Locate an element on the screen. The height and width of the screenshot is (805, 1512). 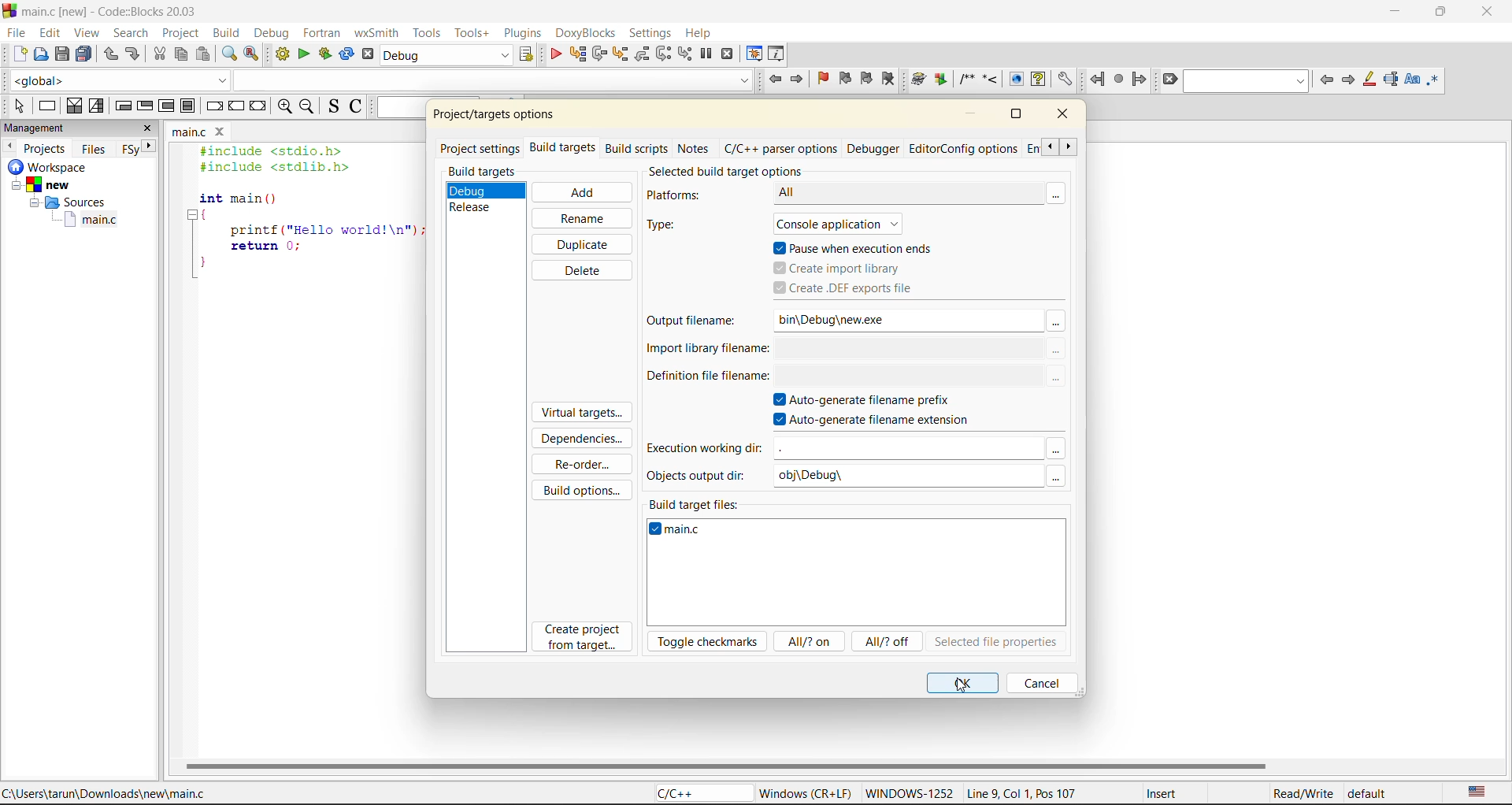
rebuild is located at coordinates (345, 54).